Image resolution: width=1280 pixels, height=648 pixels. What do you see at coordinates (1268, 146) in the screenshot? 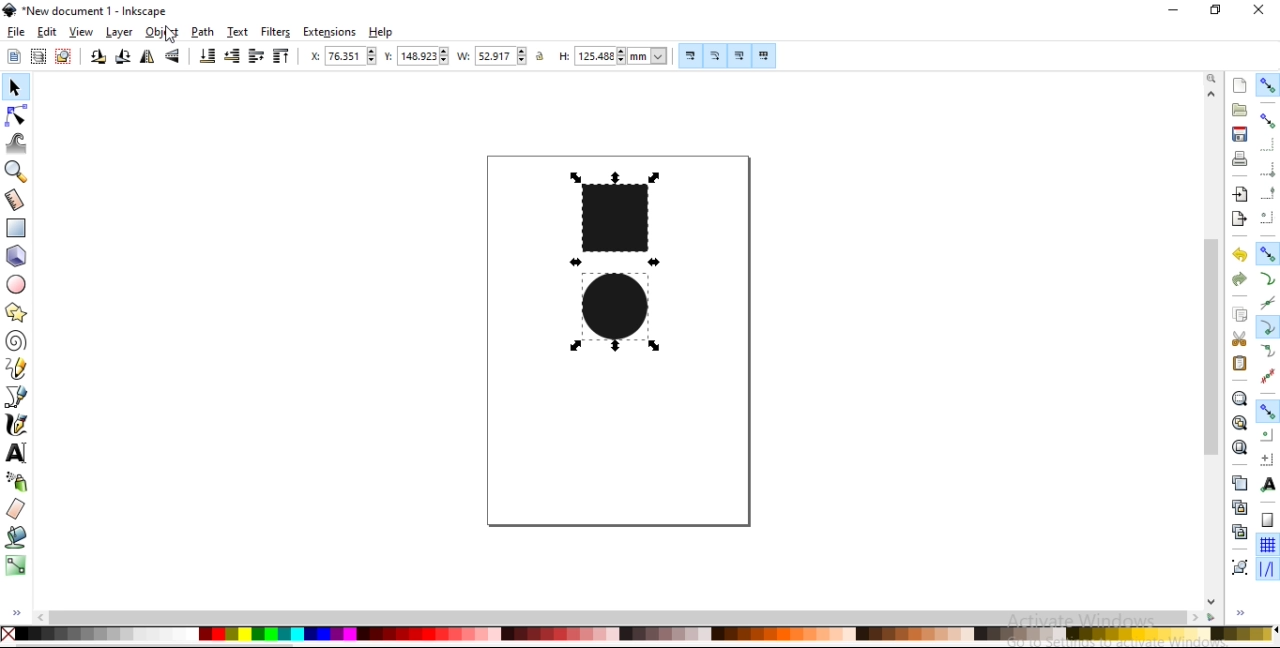
I see `snap to edges of bounding box` at bounding box center [1268, 146].